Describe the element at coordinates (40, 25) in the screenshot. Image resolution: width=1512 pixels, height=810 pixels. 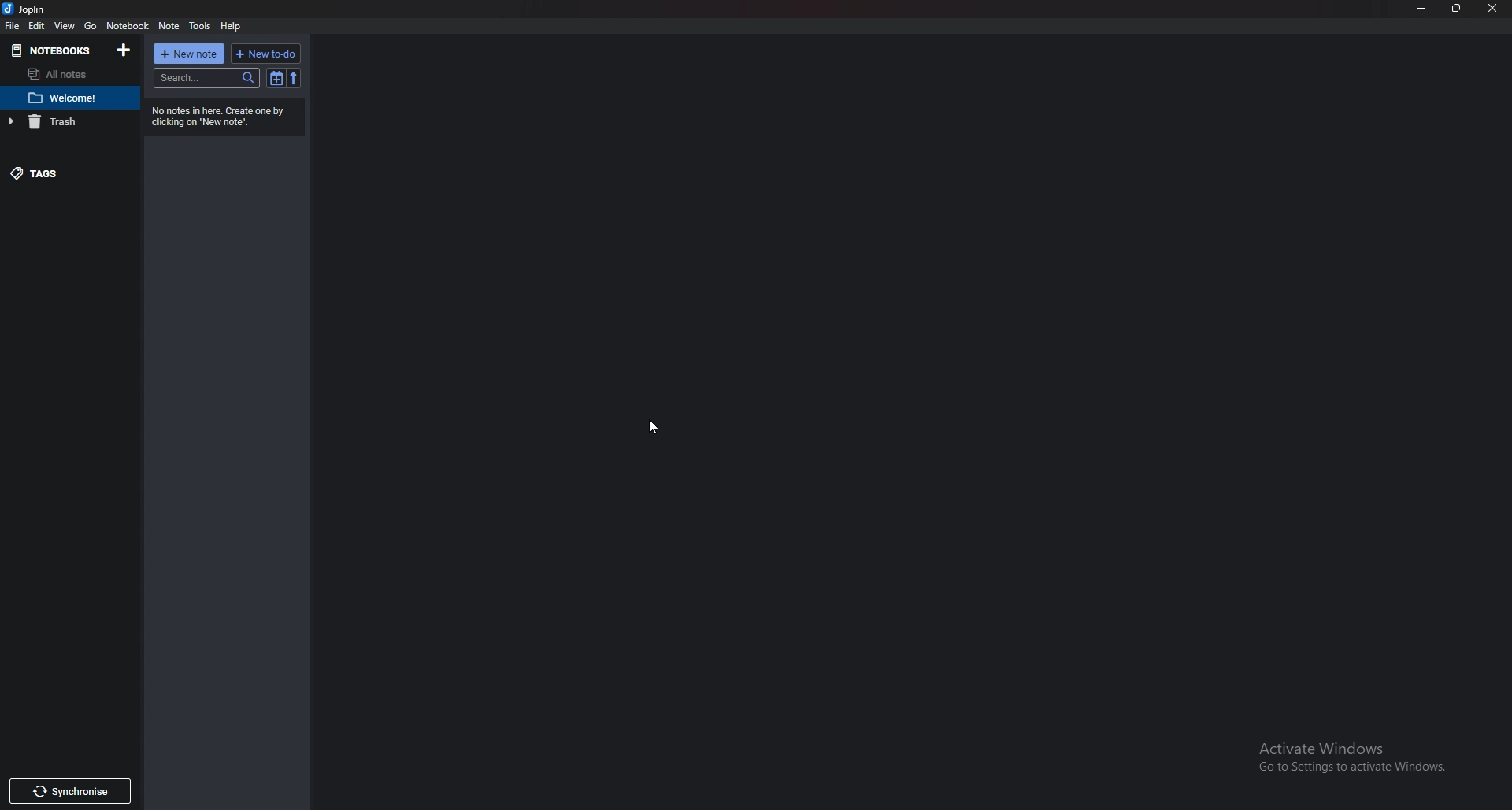
I see `edit` at that location.